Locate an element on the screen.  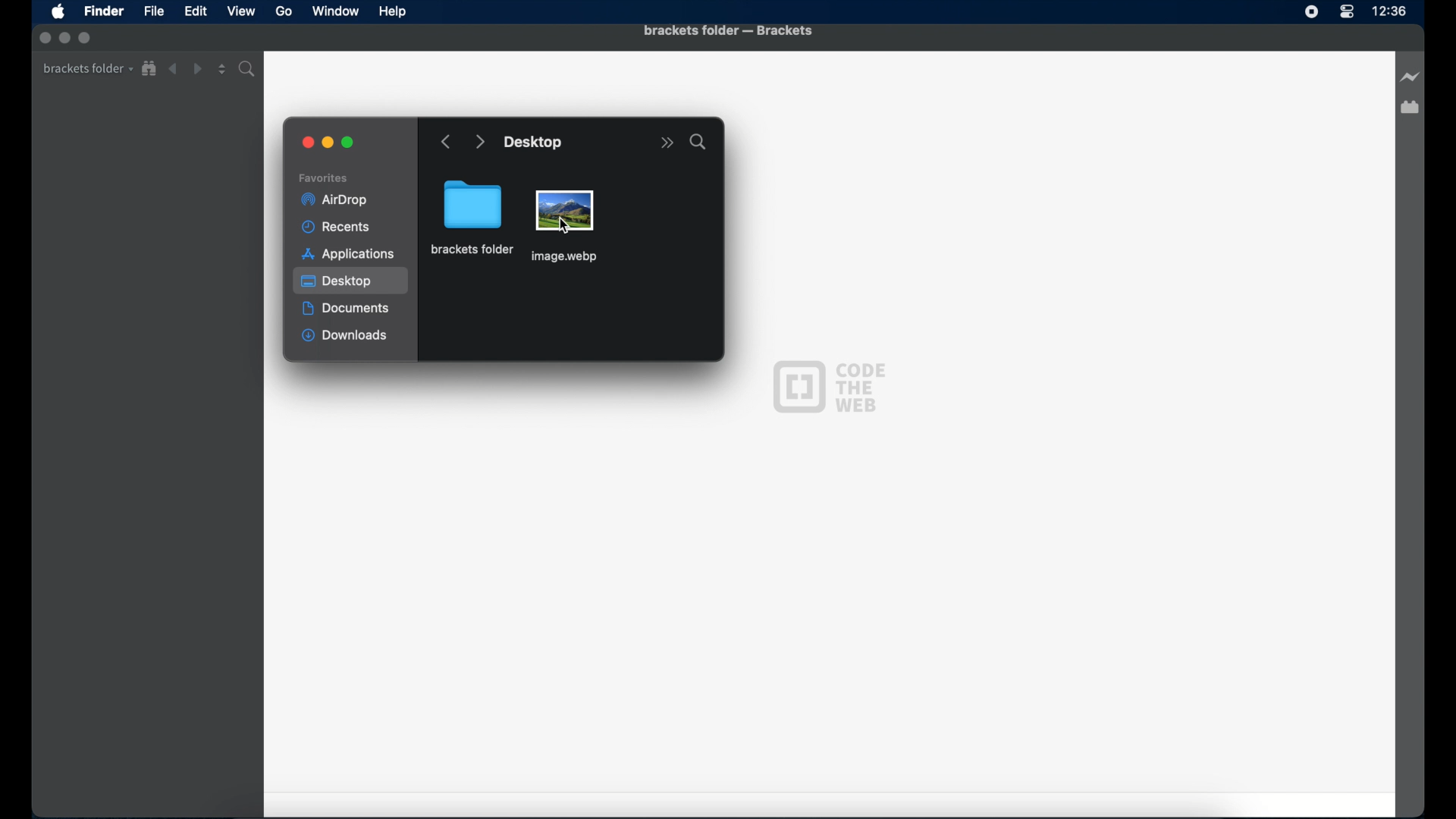
extension manager is located at coordinates (1410, 108).